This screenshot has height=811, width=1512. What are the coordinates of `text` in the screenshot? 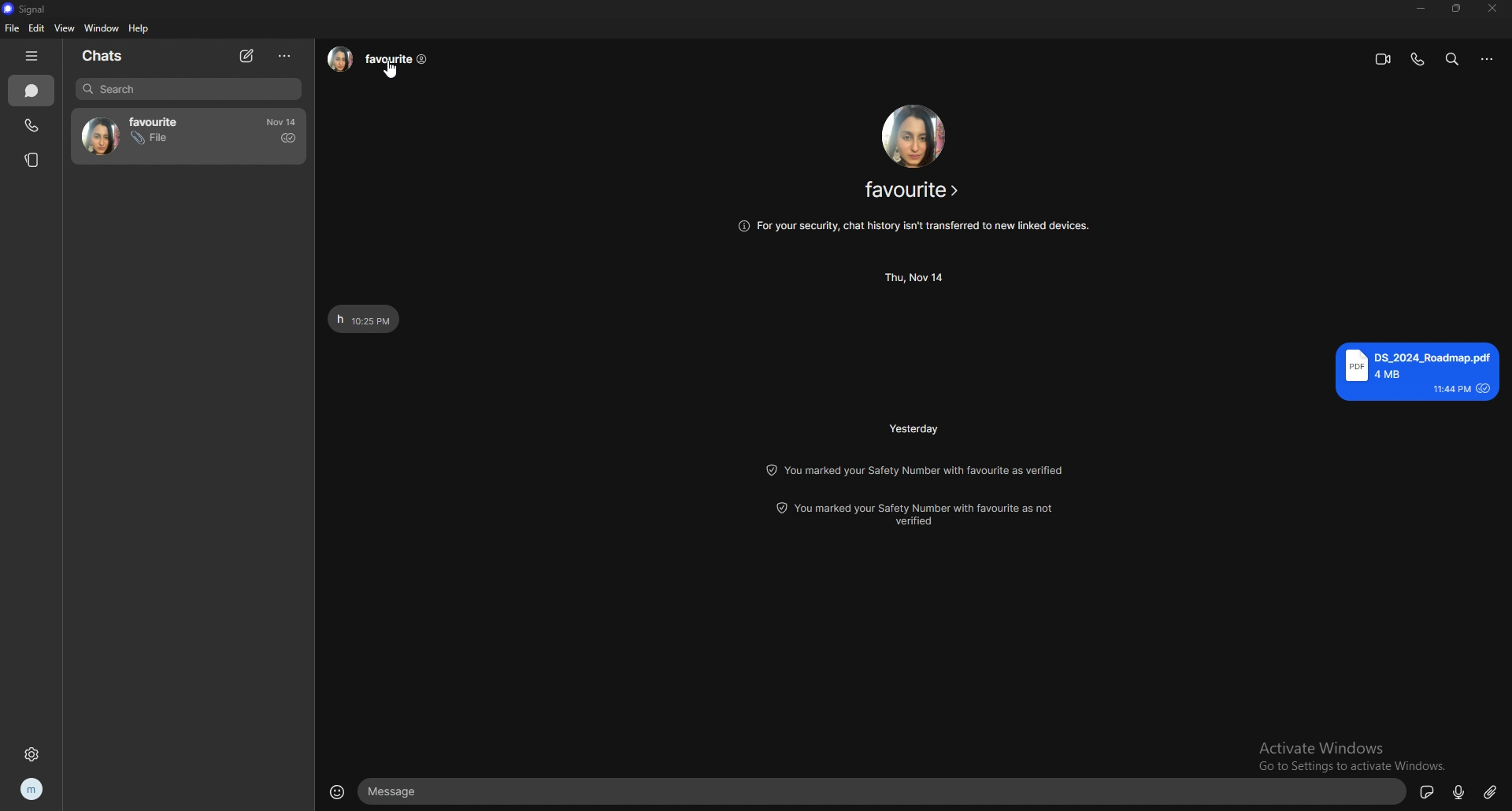 It's located at (364, 318).